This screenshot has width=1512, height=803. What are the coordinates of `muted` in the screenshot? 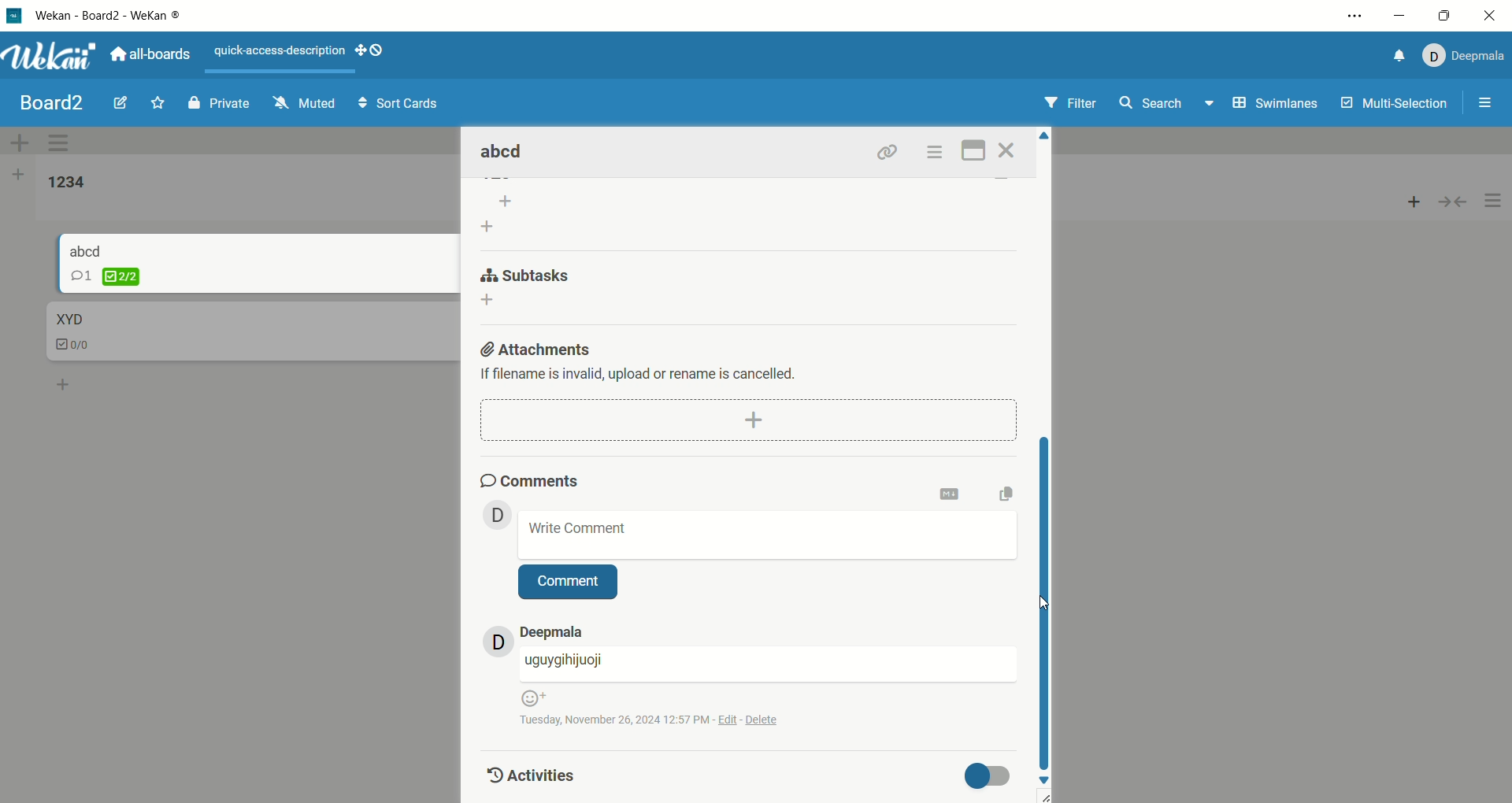 It's located at (305, 102).